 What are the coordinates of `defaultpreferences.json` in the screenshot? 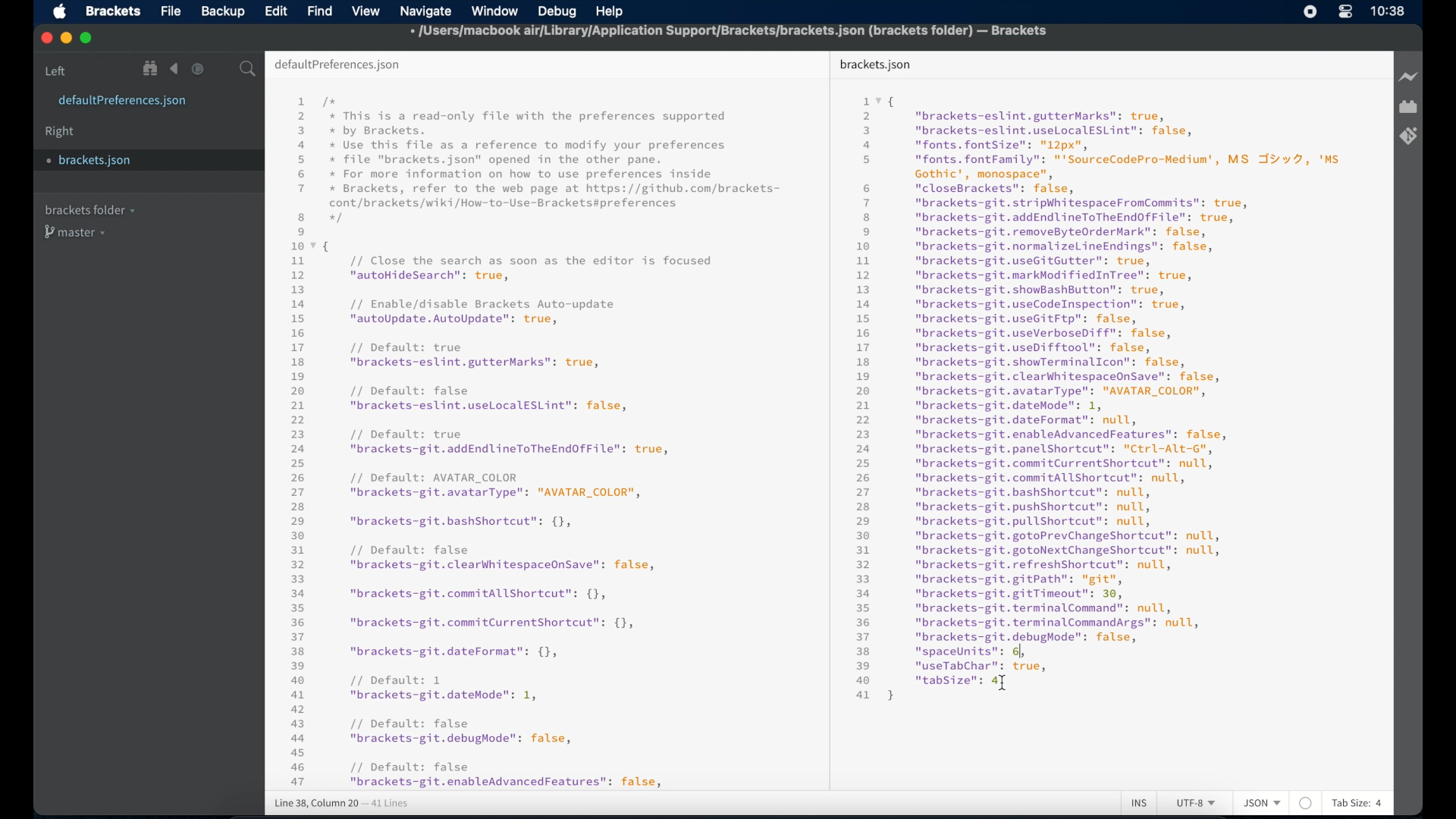 It's located at (122, 101).